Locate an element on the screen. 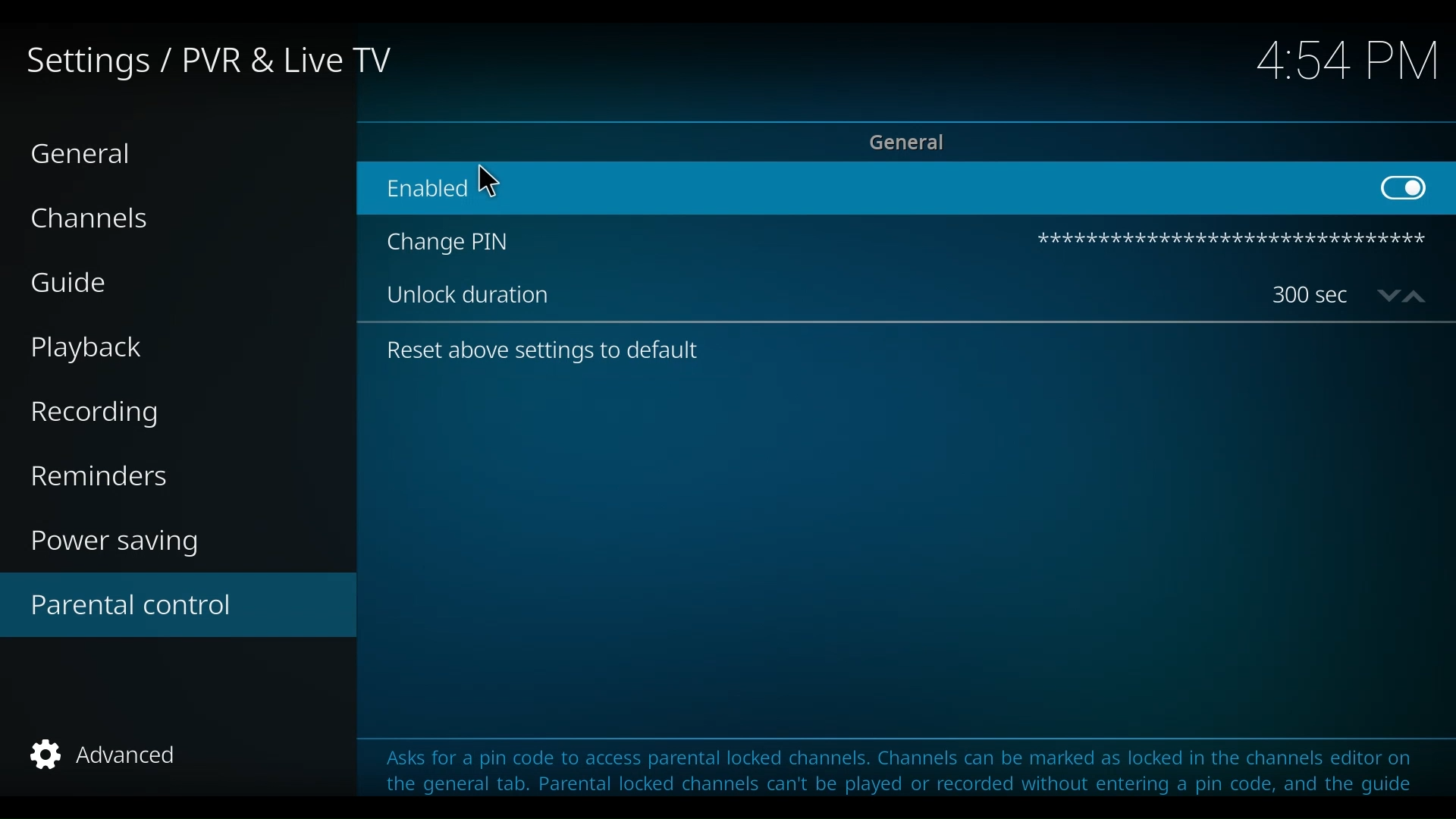 This screenshot has height=819, width=1456. Channels is located at coordinates (86, 220).